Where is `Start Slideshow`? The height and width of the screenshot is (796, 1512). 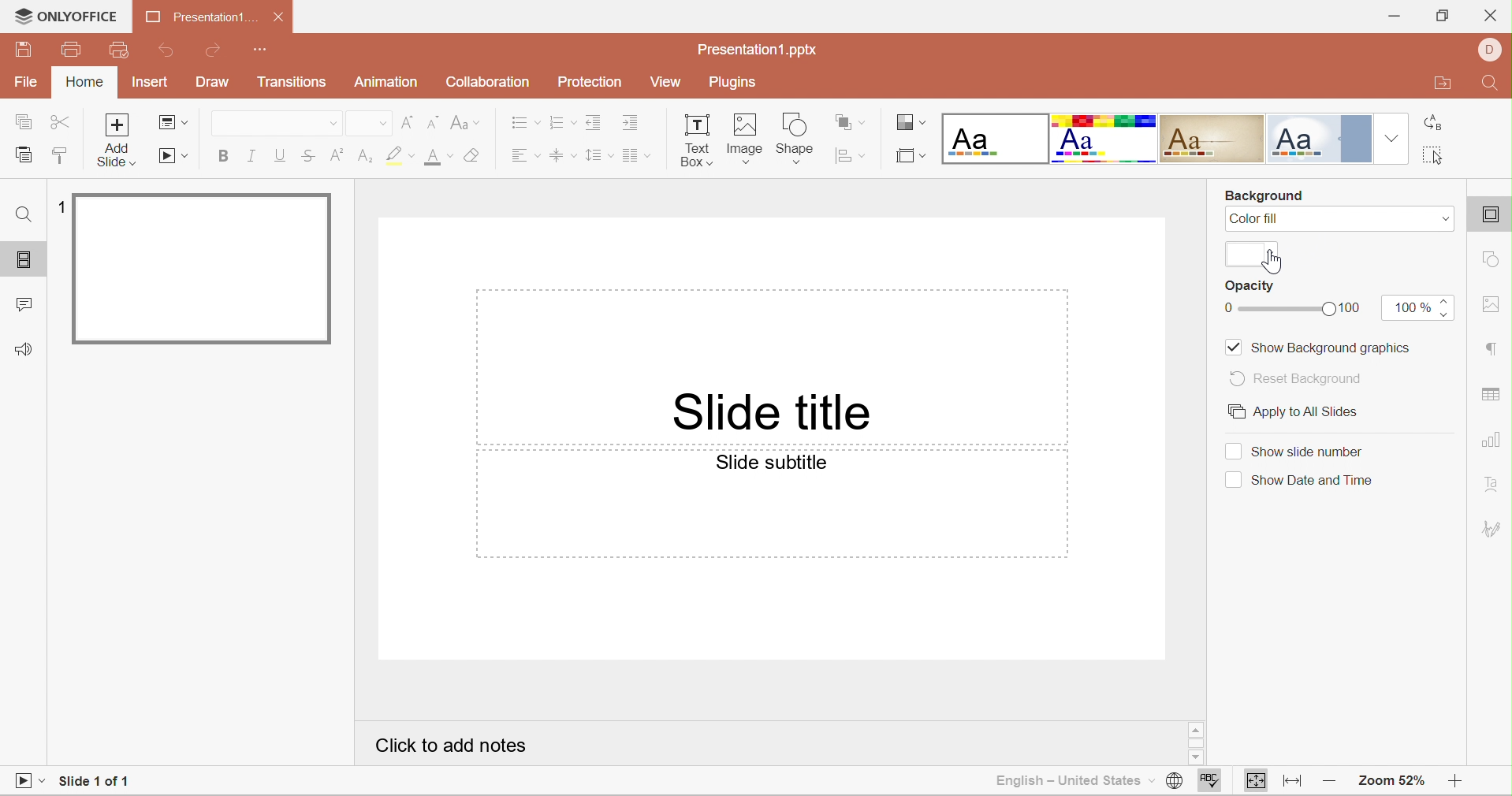
Start Slideshow is located at coordinates (29, 779).